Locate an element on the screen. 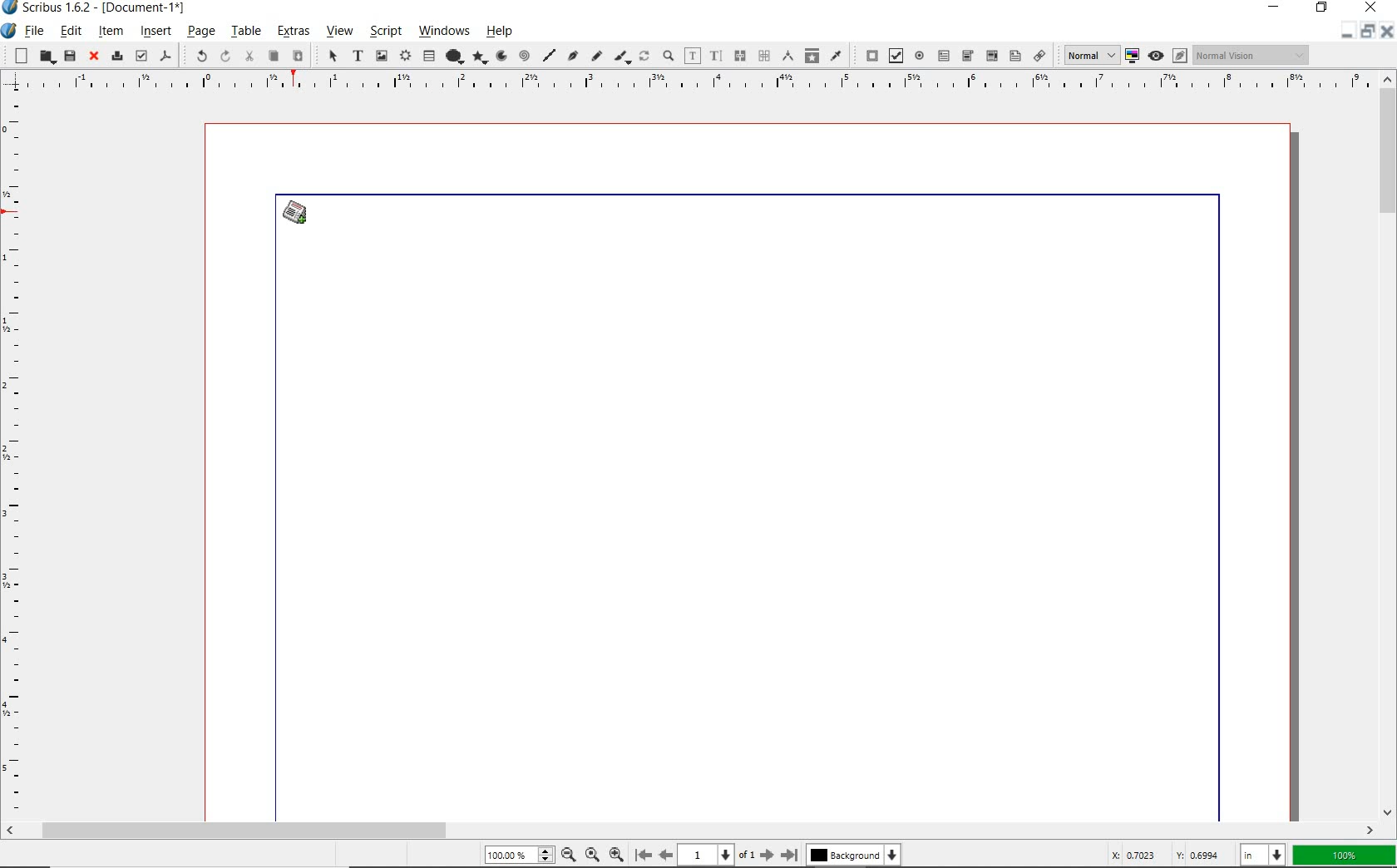 The width and height of the screenshot is (1397, 868). pdf push button is located at coordinates (866, 55).